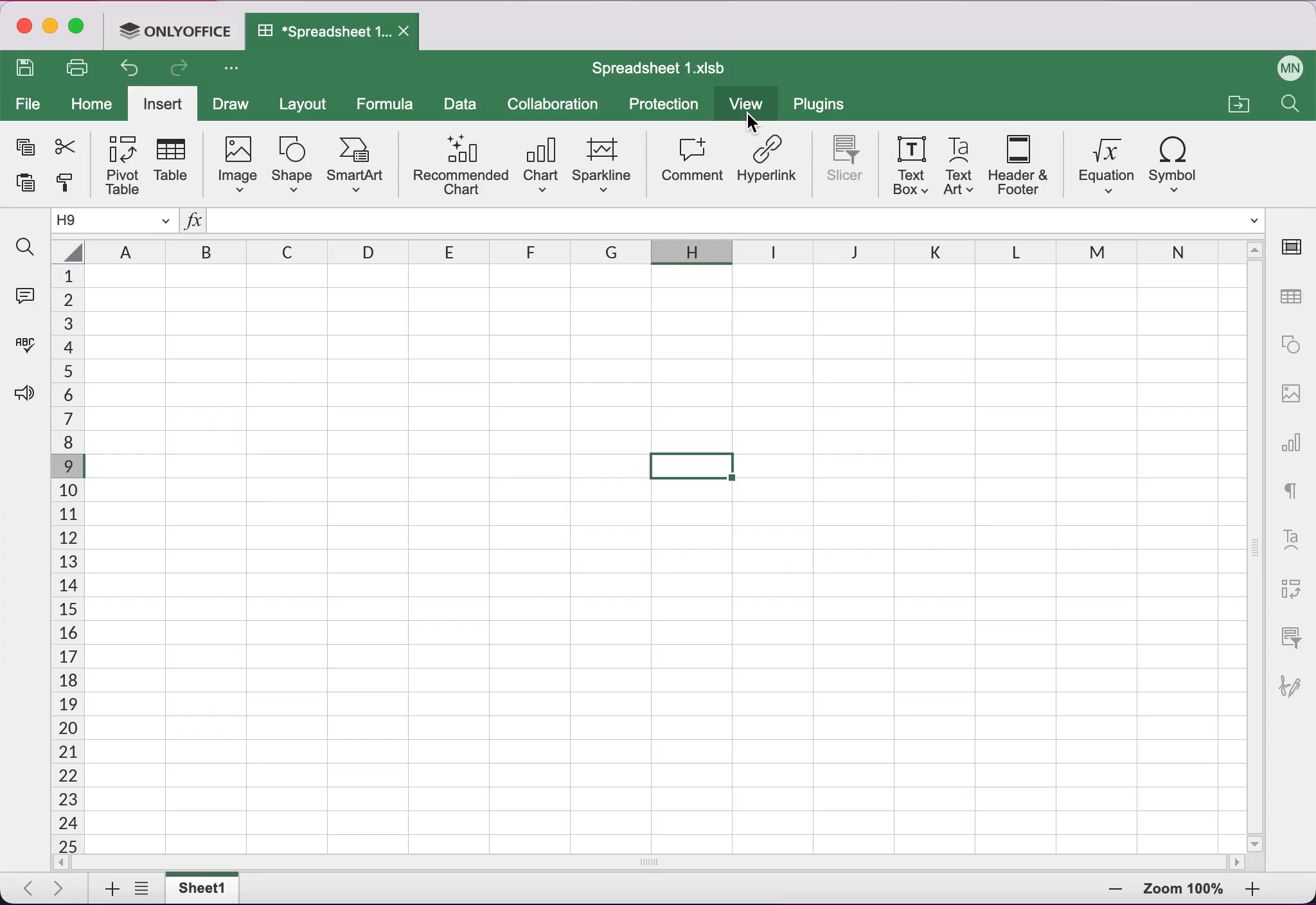 This screenshot has width=1316, height=905. What do you see at coordinates (461, 164) in the screenshot?
I see `recommended chart` at bounding box center [461, 164].